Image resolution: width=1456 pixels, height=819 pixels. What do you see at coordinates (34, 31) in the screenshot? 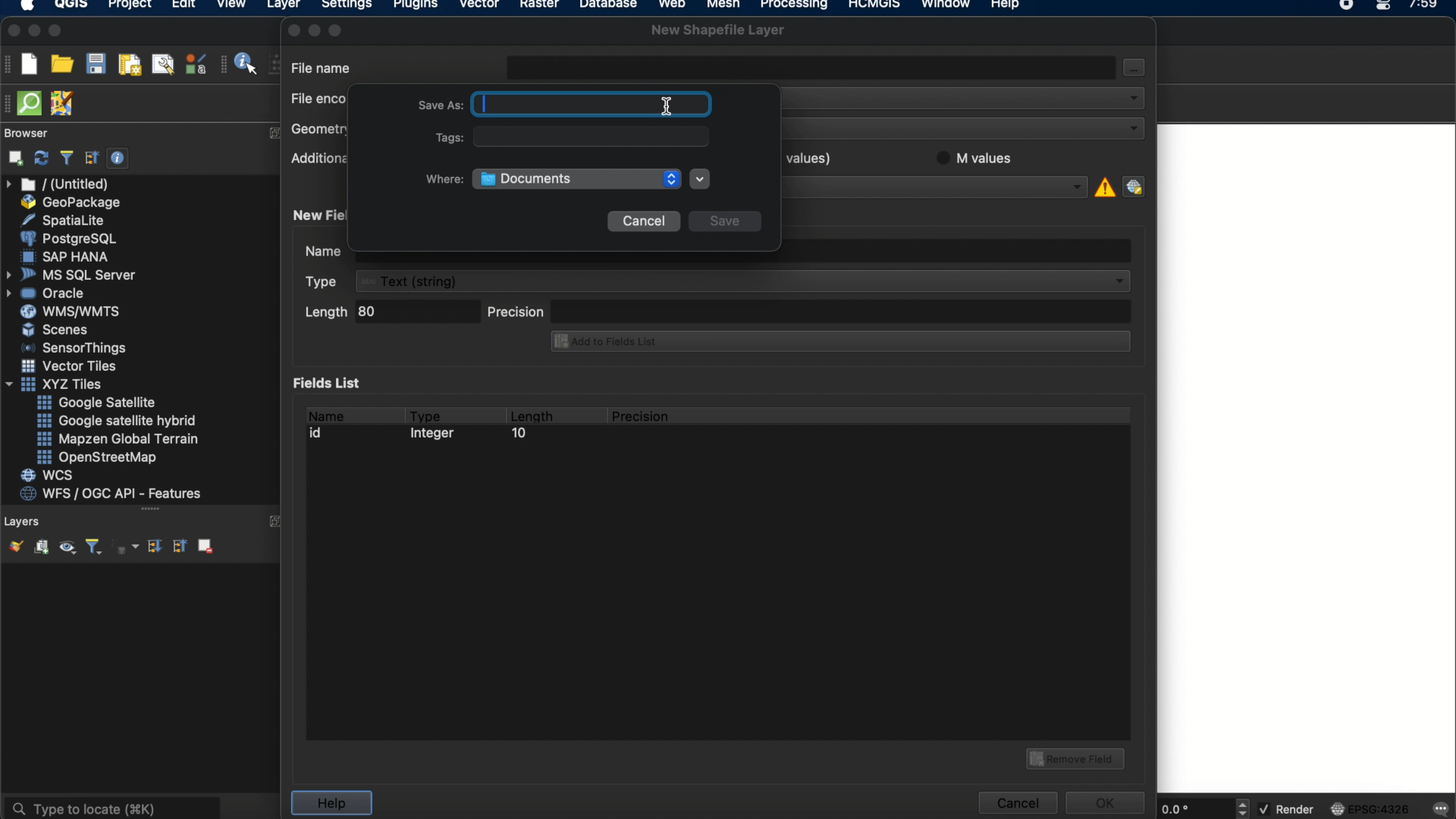
I see `minimize` at bounding box center [34, 31].